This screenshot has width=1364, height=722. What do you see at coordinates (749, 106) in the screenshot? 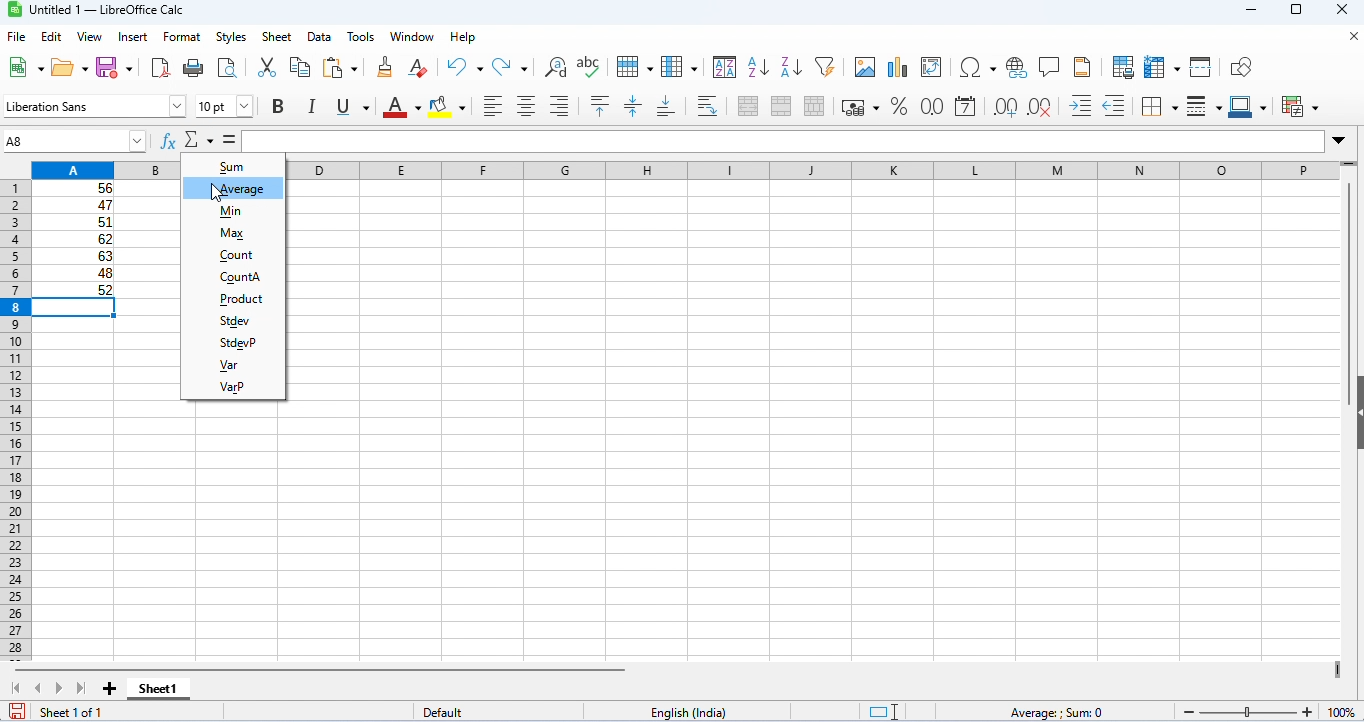
I see `merge and center` at bounding box center [749, 106].